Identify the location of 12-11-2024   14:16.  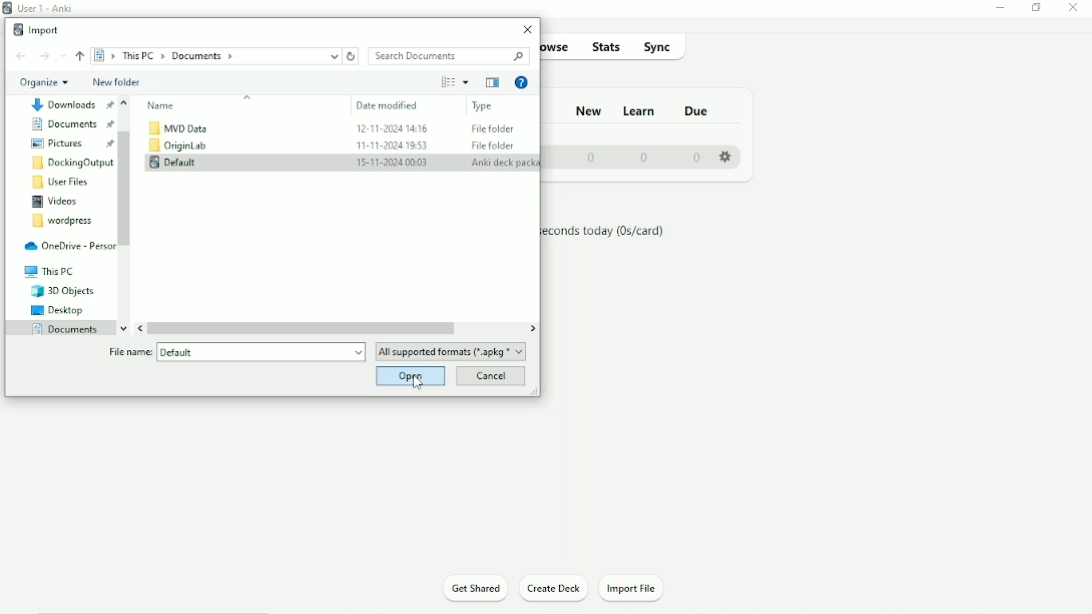
(391, 128).